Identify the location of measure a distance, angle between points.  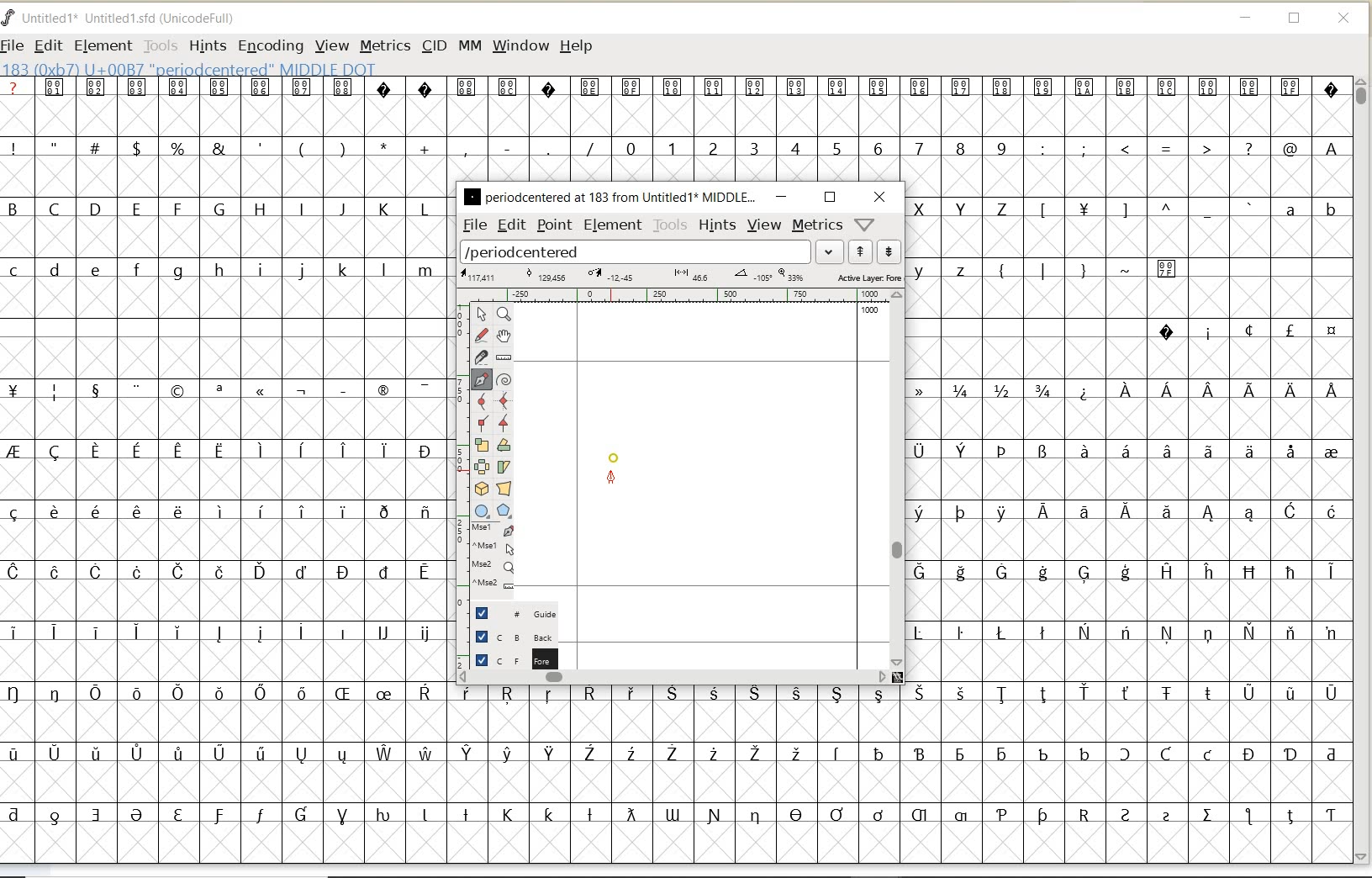
(504, 357).